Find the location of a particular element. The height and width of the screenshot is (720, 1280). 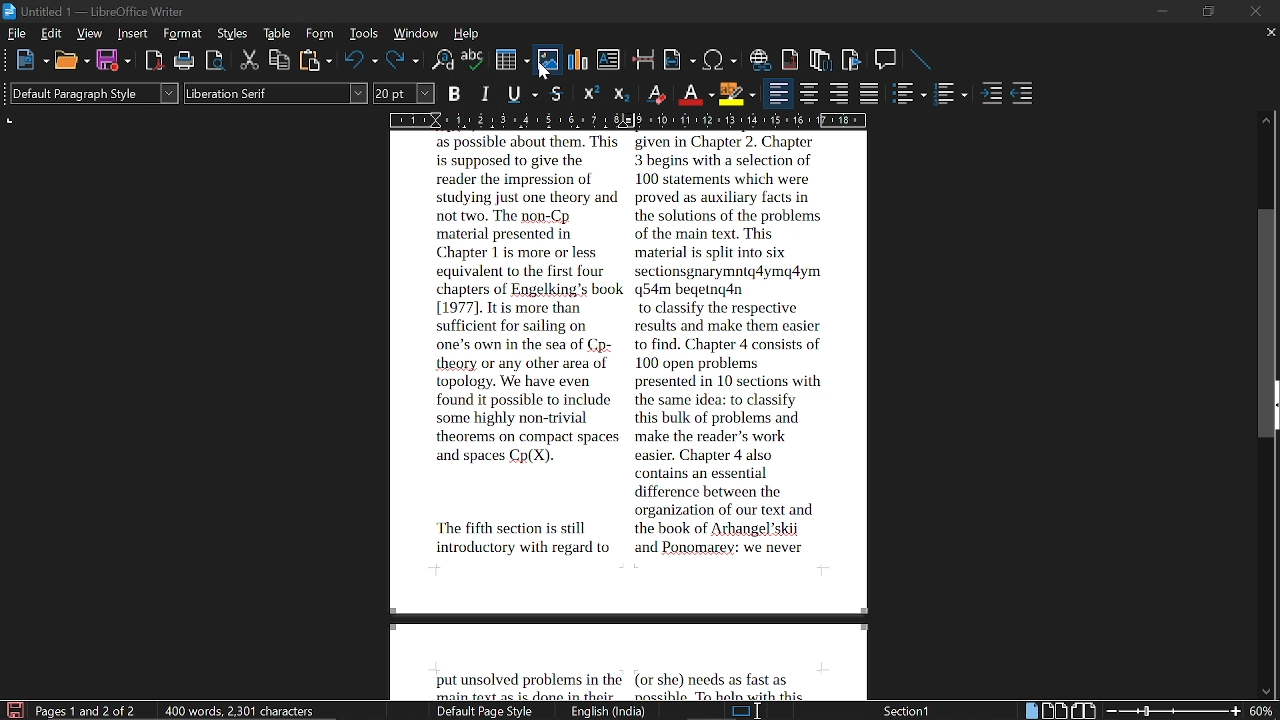

superscript is located at coordinates (590, 93).